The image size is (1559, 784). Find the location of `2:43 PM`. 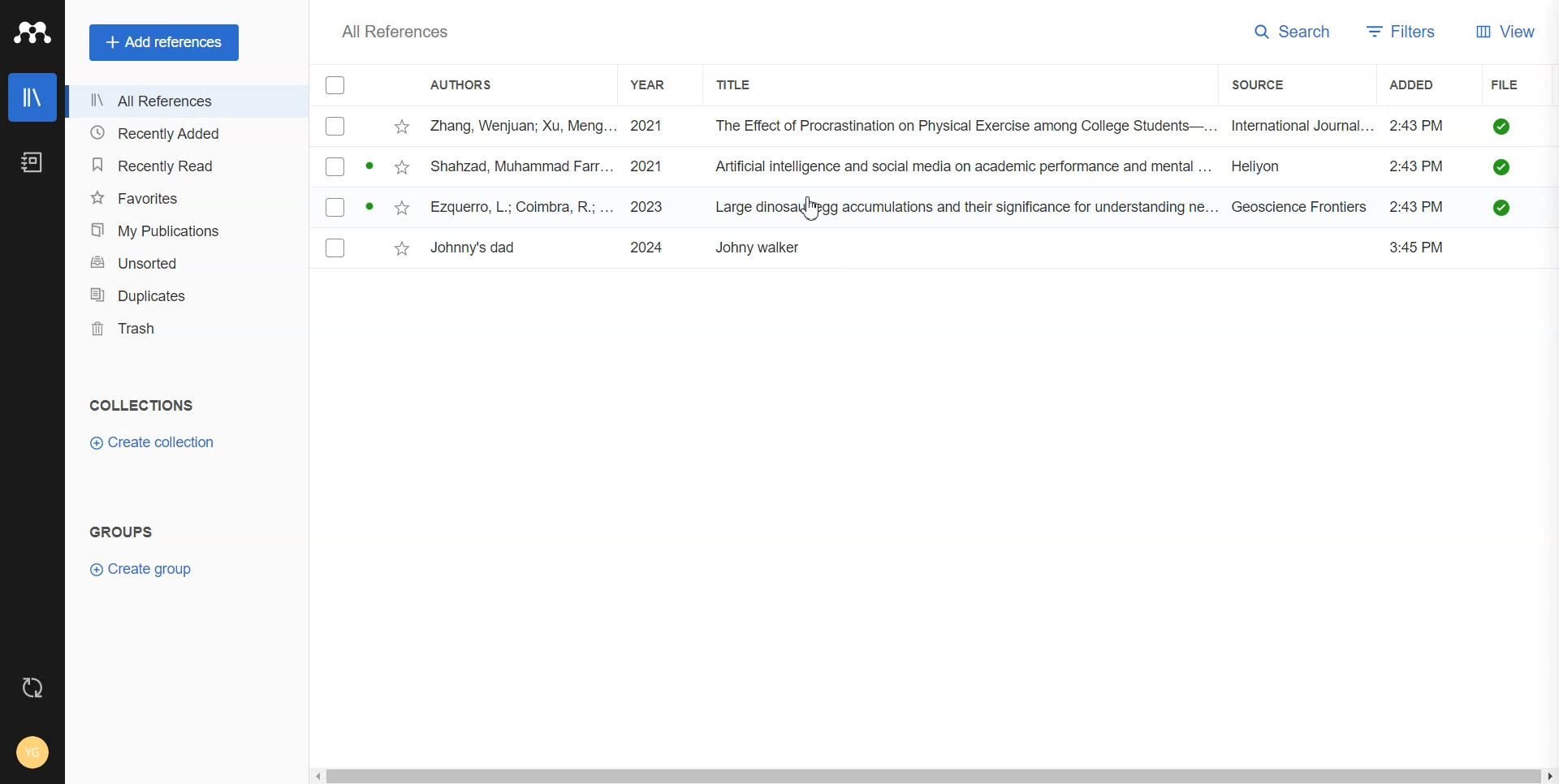

2:43 PM is located at coordinates (1419, 125).